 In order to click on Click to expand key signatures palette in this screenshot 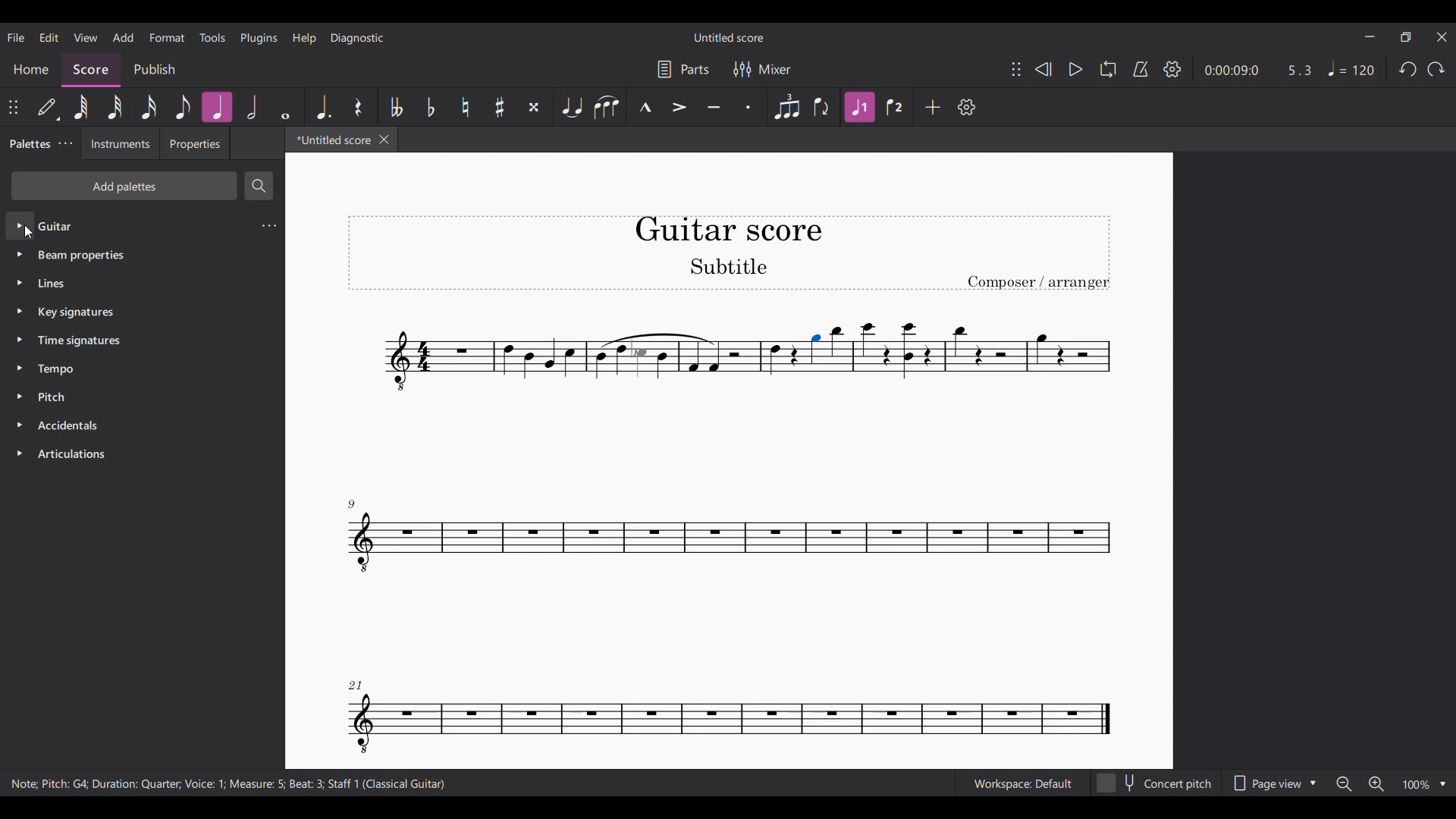, I will do `click(20, 311)`.